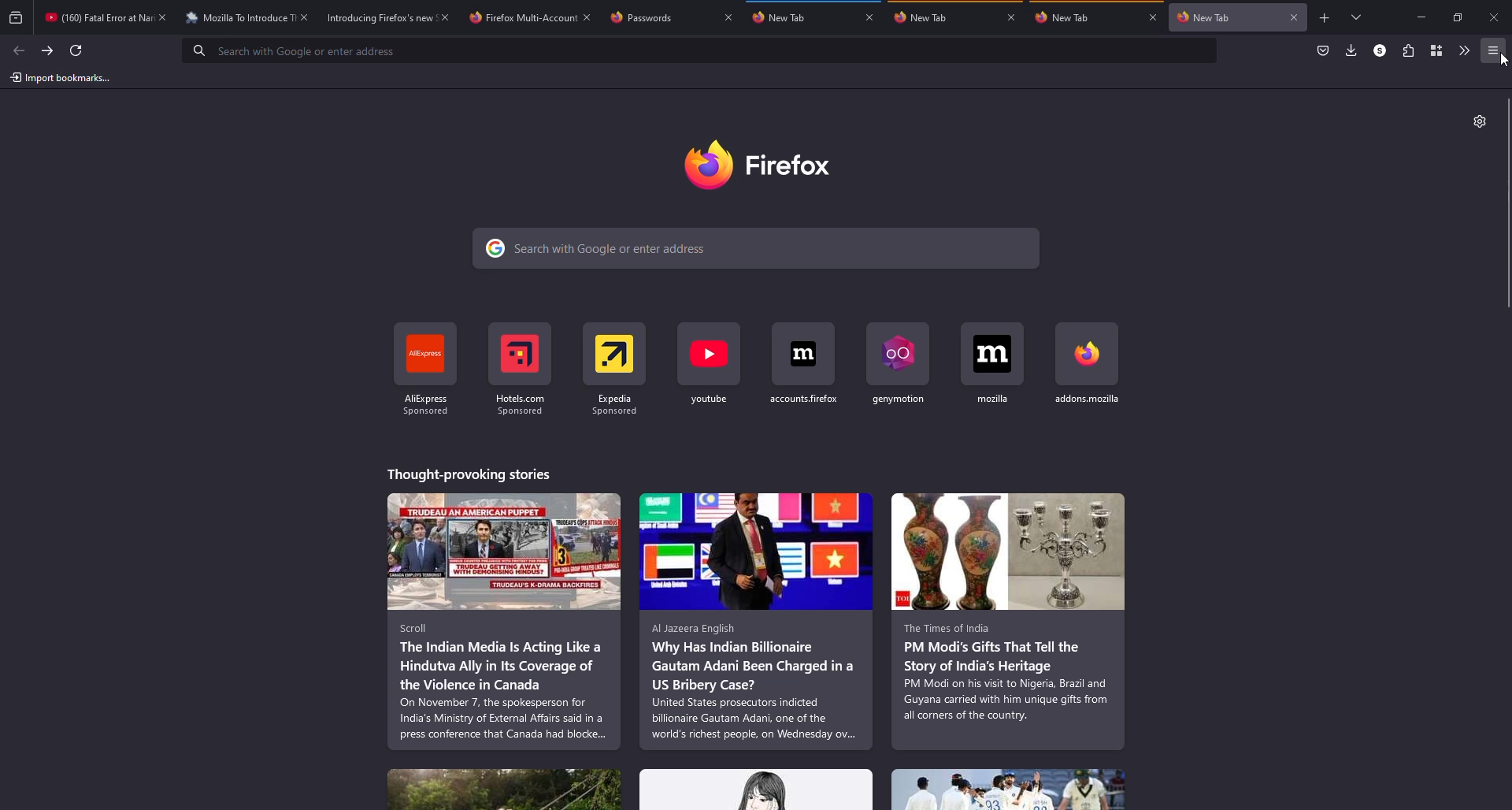 Image resolution: width=1512 pixels, height=810 pixels. What do you see at coordinates (756, 622) in the screenshot?
I see `stories` at bounding box center [756, 622].